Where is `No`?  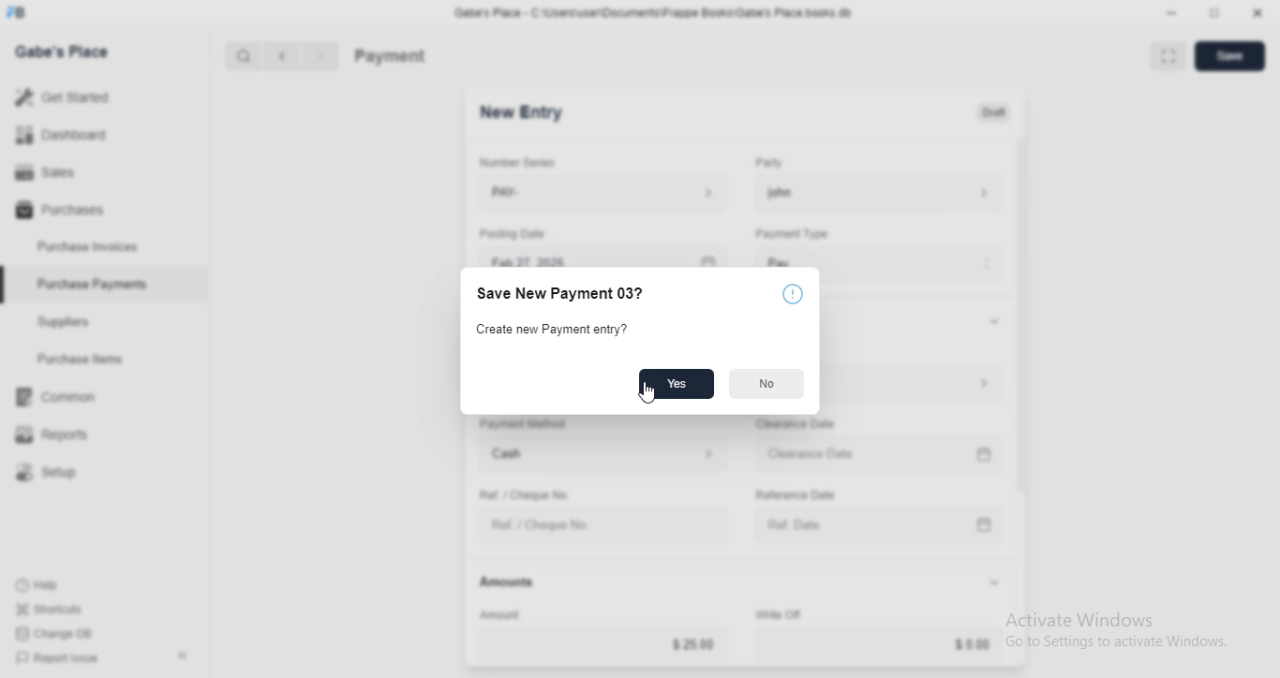 No is located at coordinates (768, 382).